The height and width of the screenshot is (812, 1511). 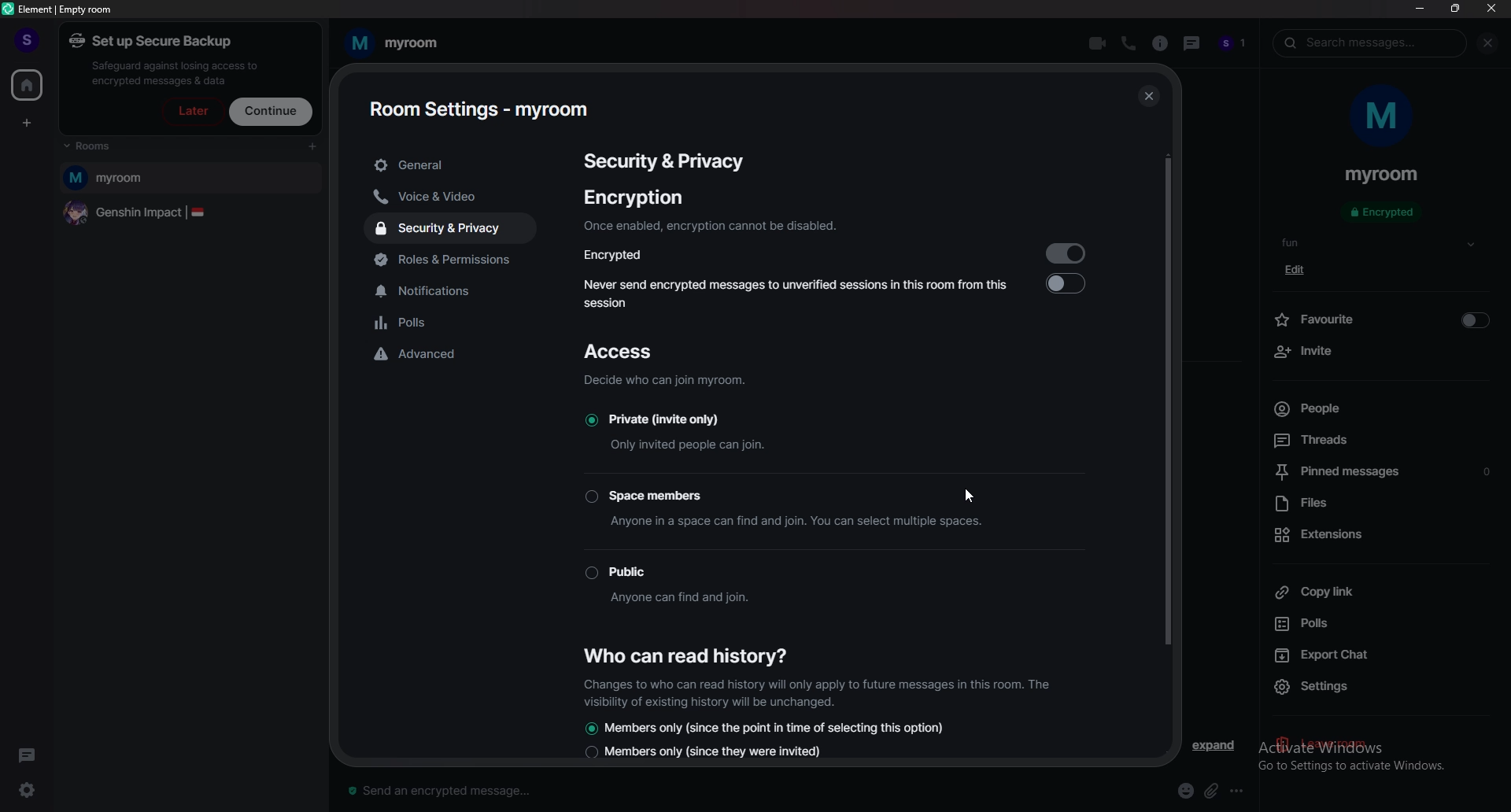 What do you see at coordinates (1381, 244) in the screenshot?
I see `fun` at bounding box center [1381, 244].